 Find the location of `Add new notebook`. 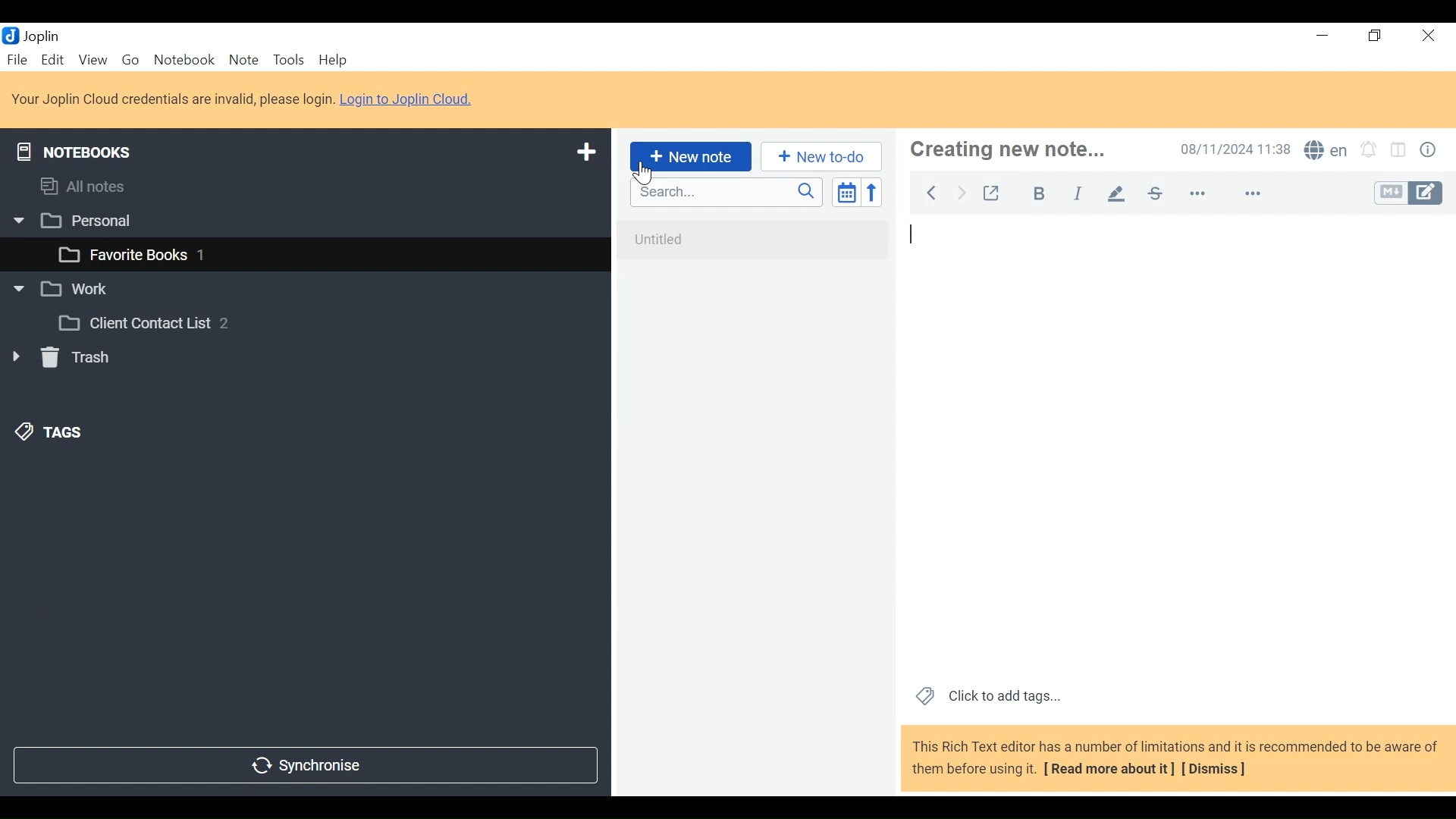

Add new notebook is located at coordinates (586, 154).